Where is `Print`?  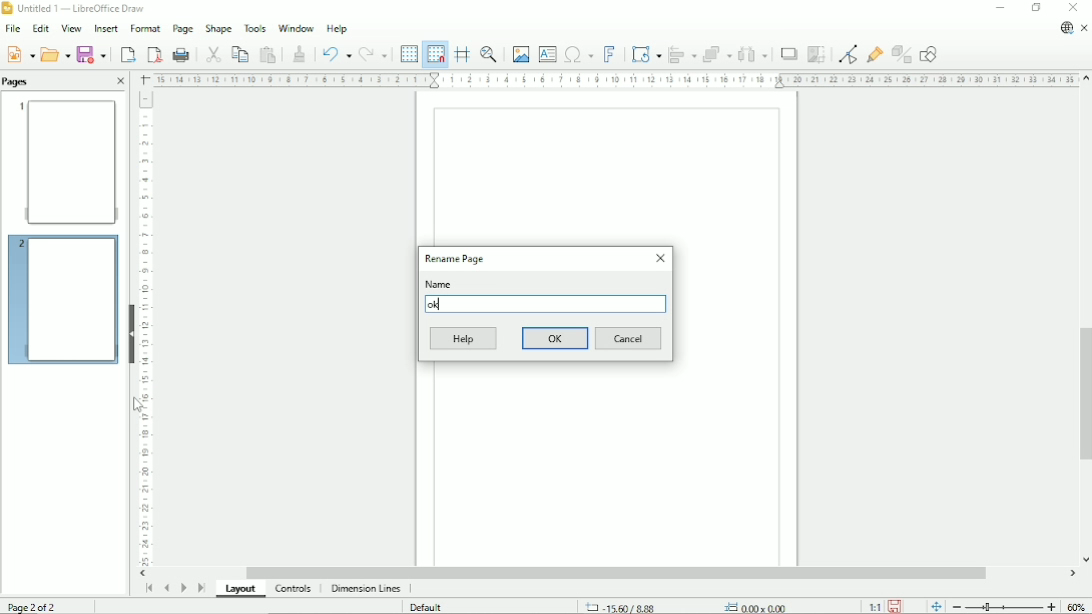
Print is located at coordinates (182, 55).